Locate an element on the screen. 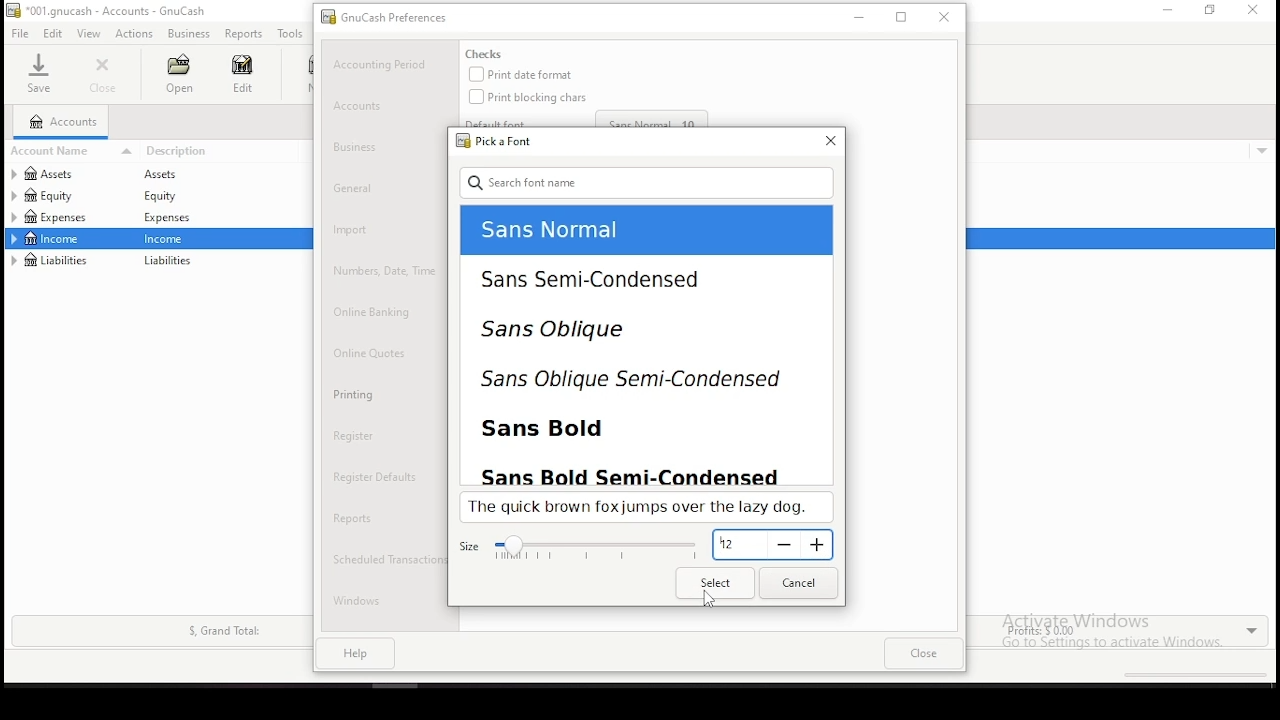 This screenshot has height=720, width=1280. actions is located at coordinates (135, 34).